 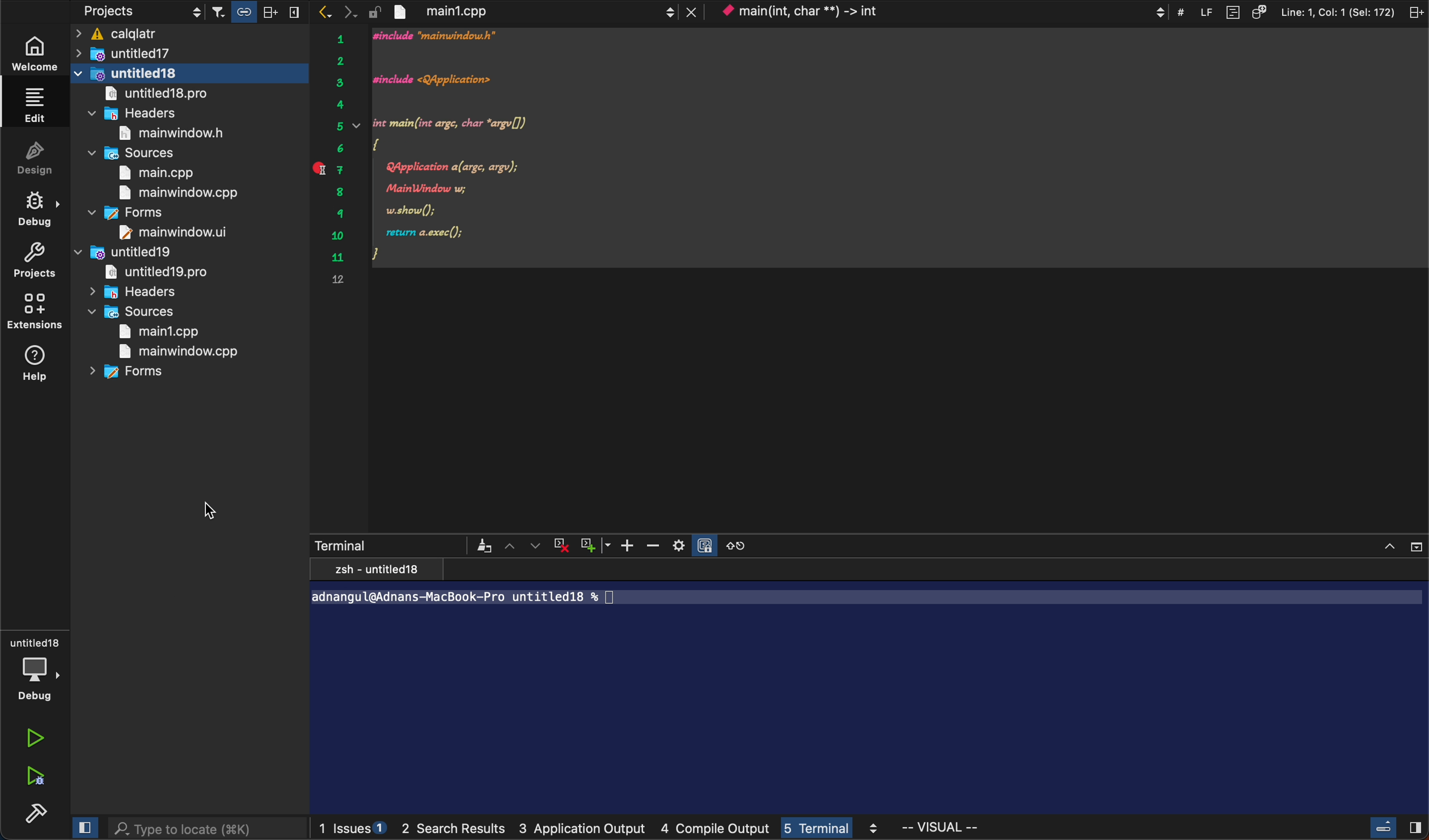 I want to click on close, so click(x=1398, y=544).